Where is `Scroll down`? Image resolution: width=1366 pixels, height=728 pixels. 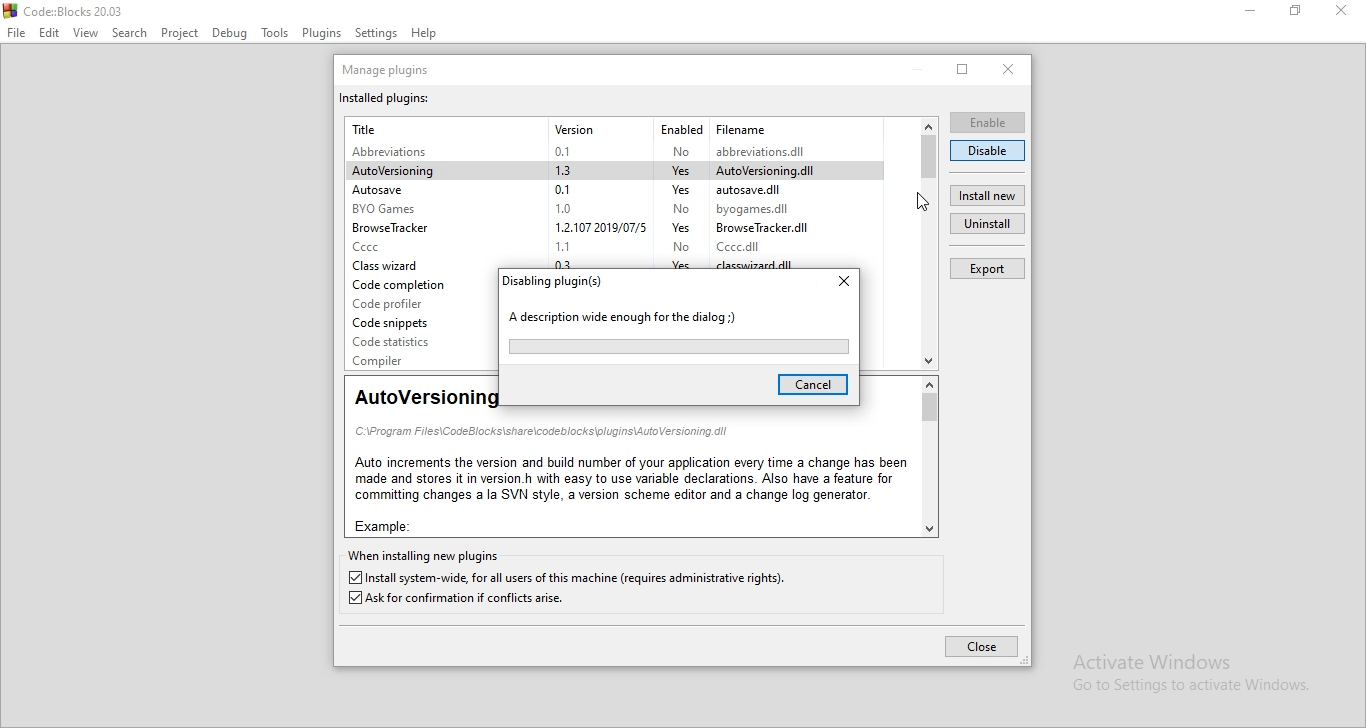
Scroll down is located at coordinates (930, 362).